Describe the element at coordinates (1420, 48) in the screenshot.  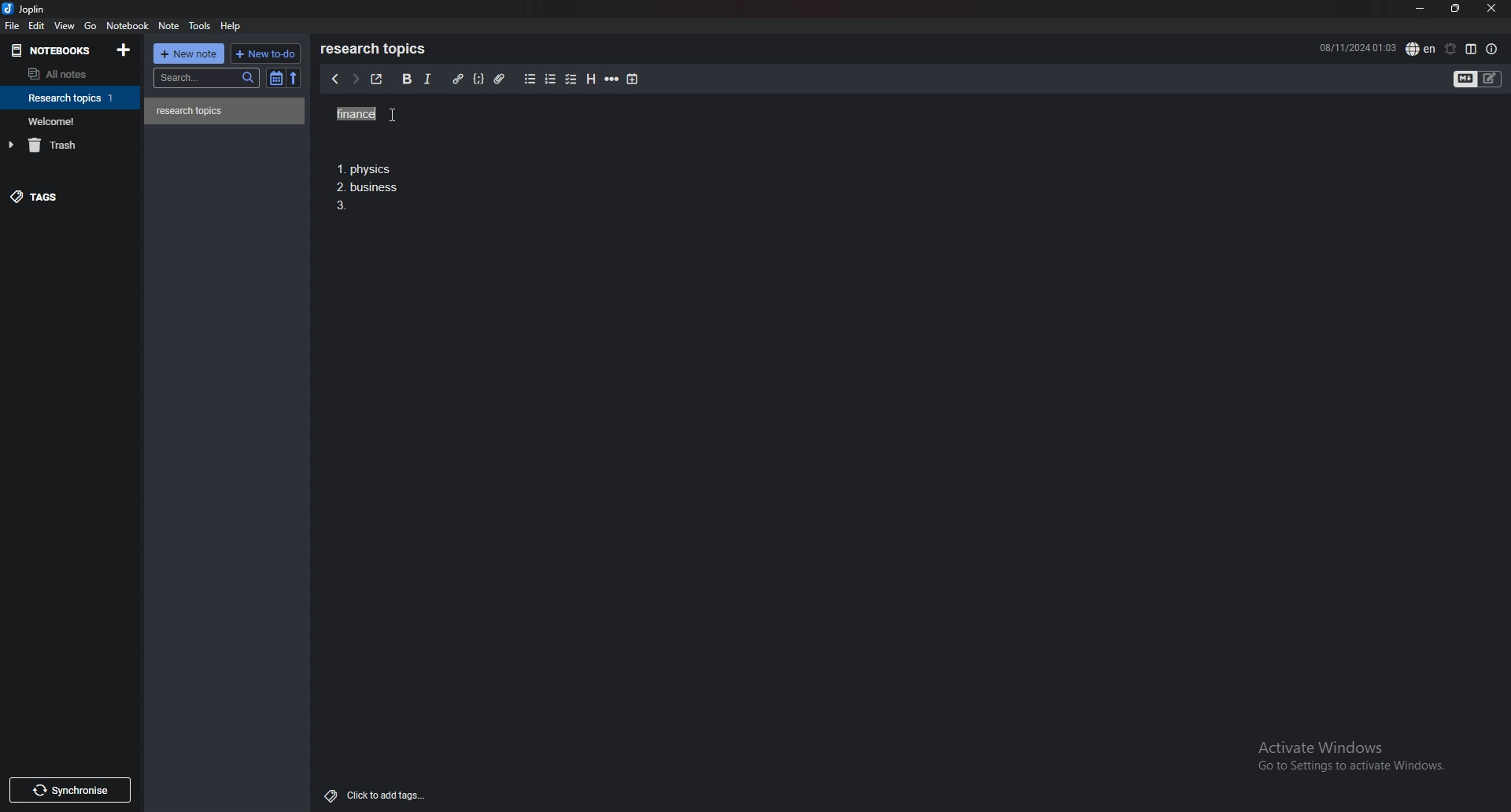
I see `spell check` at that location.